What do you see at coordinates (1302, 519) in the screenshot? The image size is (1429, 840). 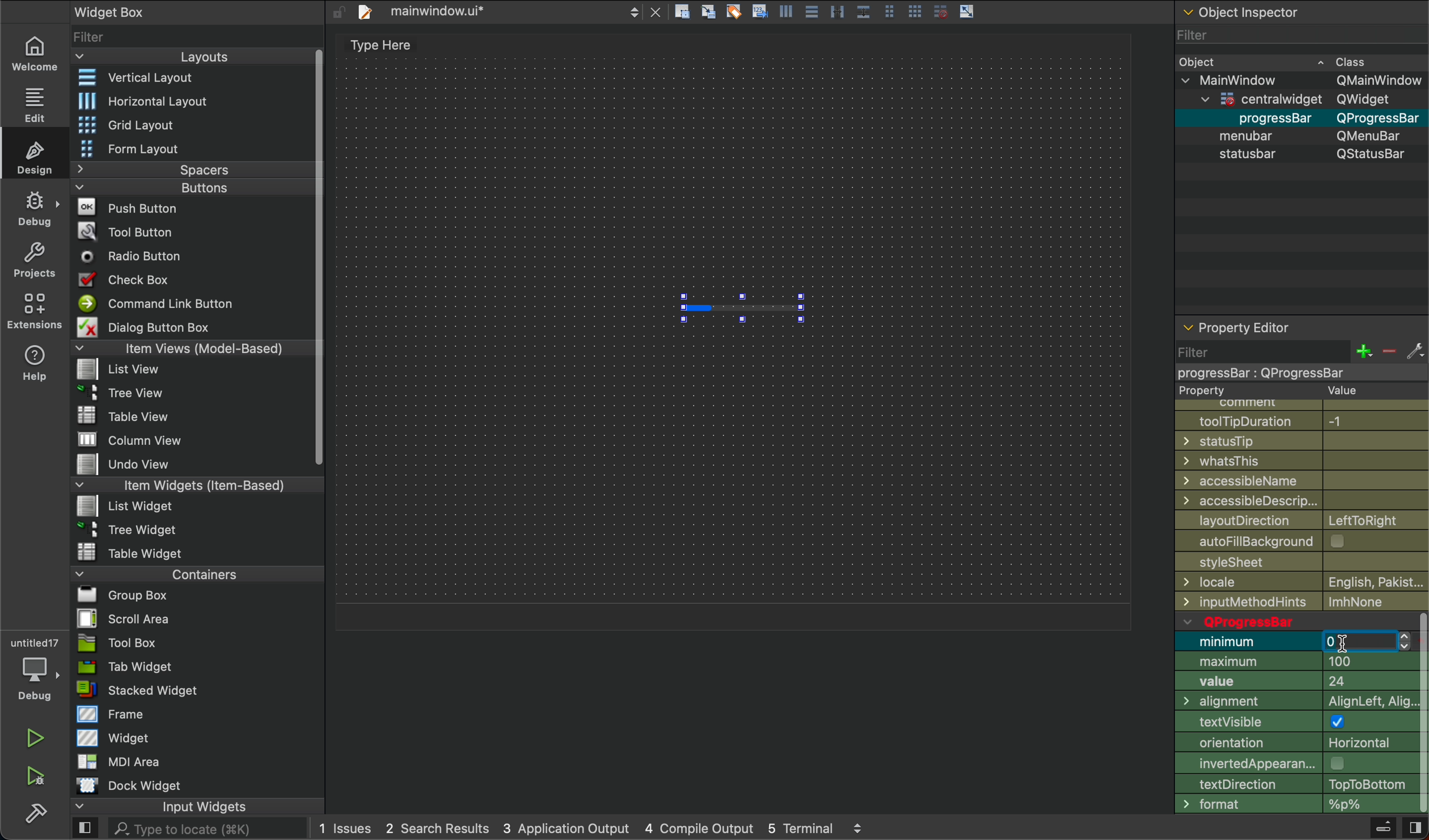 I see `layoutDirection` at bounding box center [1302, 519].